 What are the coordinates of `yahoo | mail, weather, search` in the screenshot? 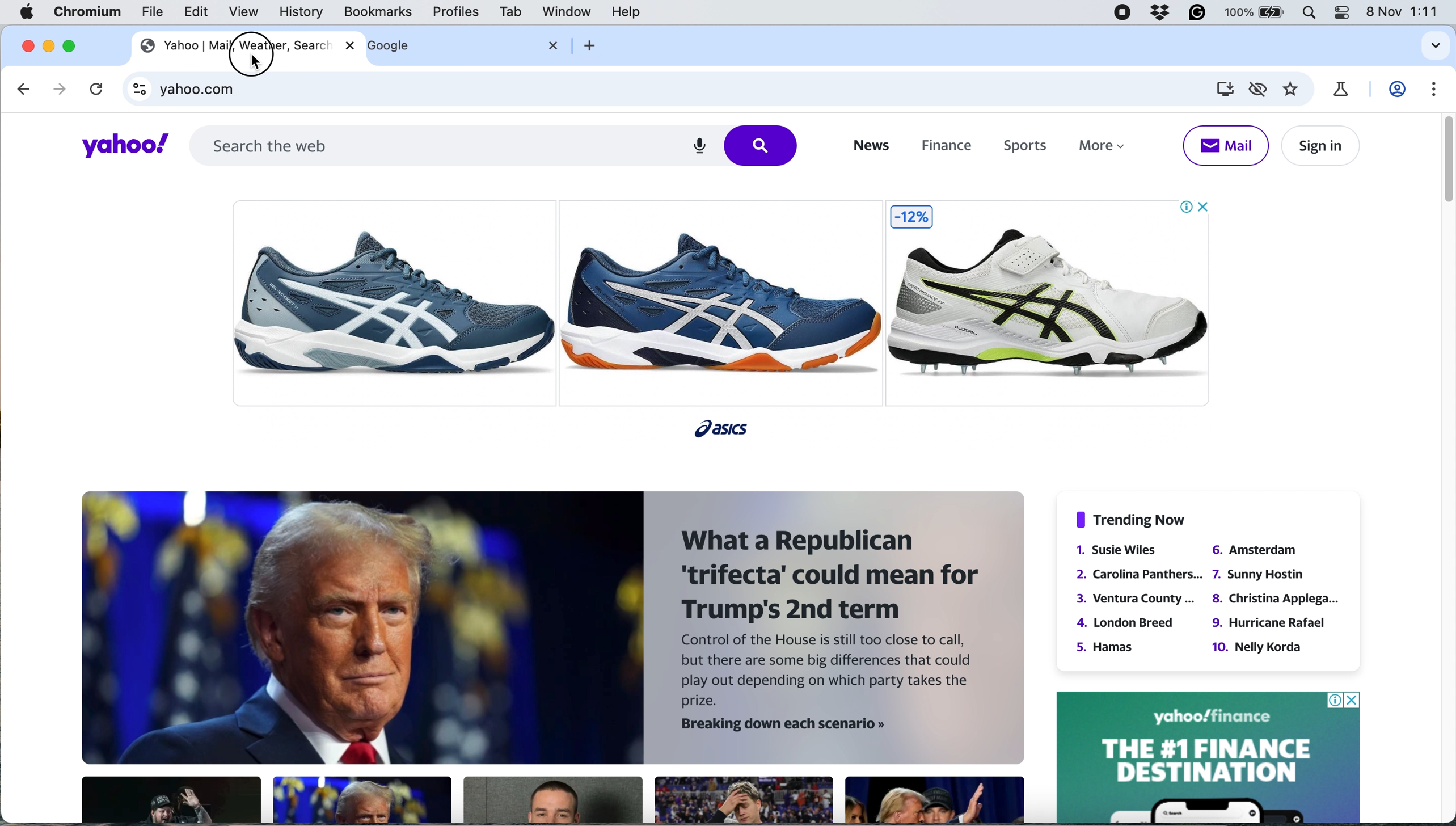 It's located at (232, 45).